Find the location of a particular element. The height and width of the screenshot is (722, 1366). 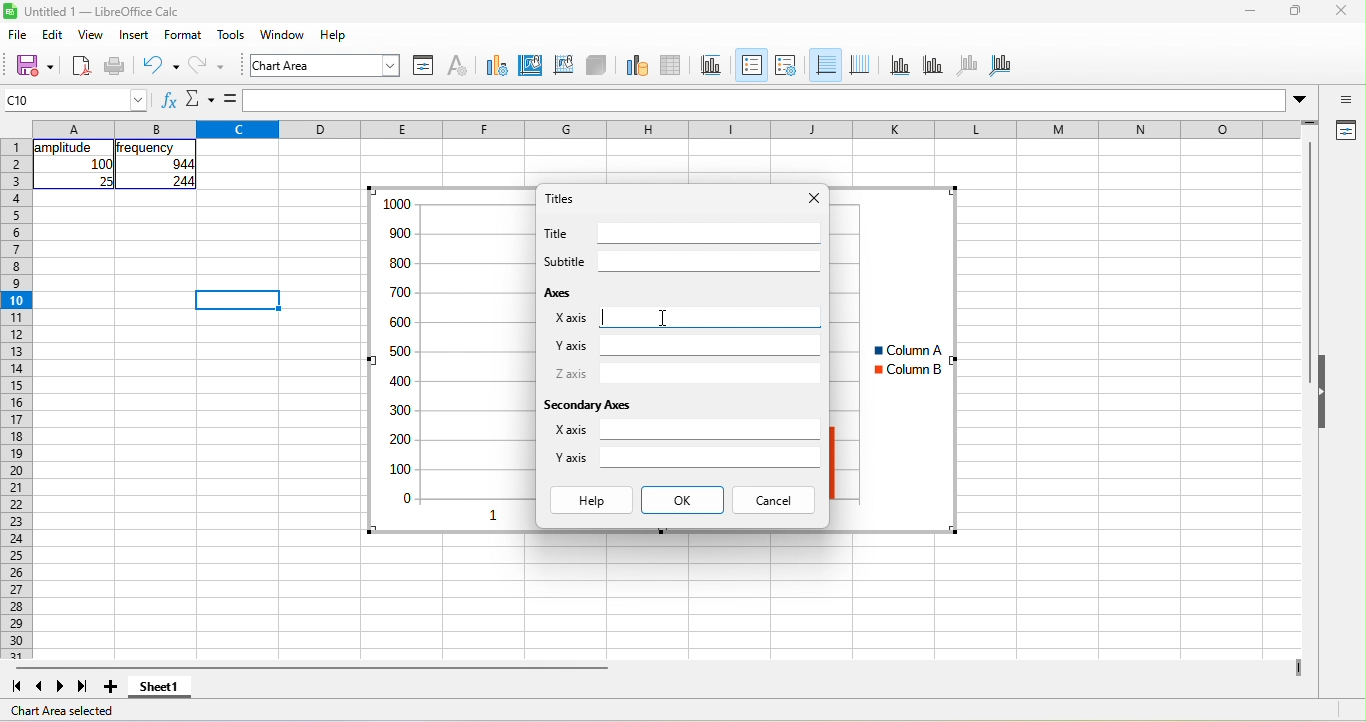

Z axis is located at coordinates (571, 373).